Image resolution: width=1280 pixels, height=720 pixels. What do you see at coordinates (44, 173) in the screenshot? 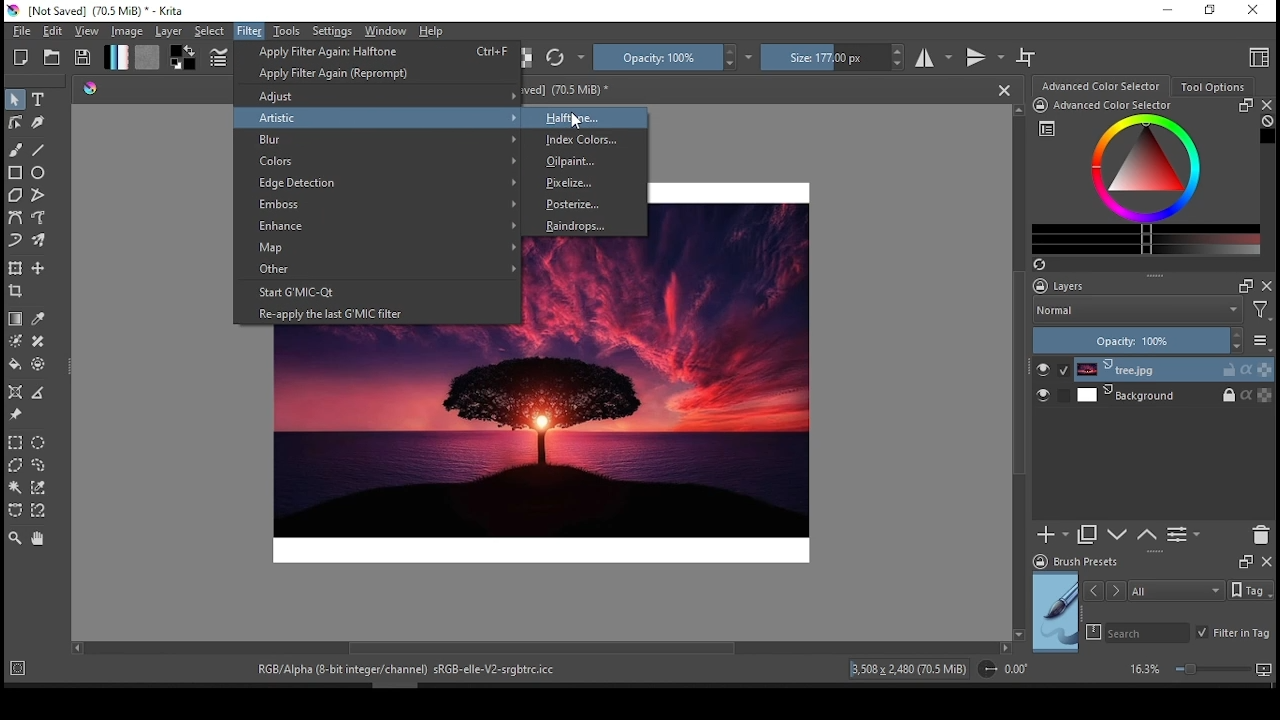
I see `ellipse tool` at bounding box center [44, 173].